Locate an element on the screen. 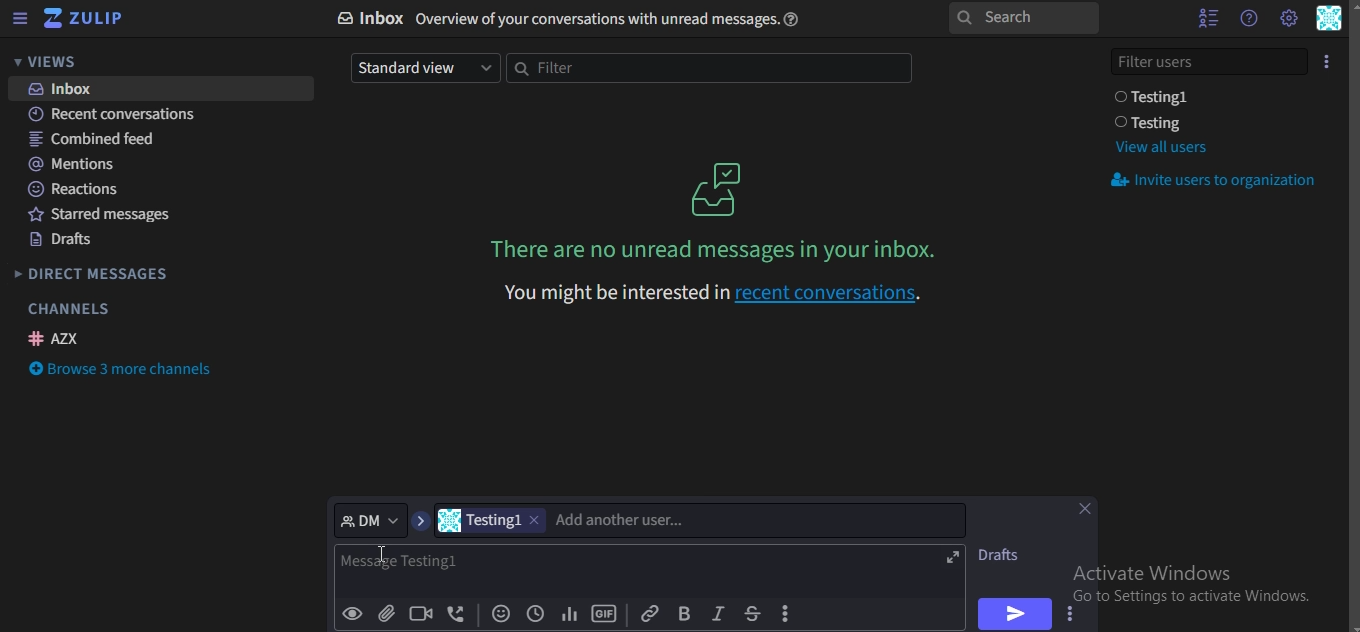 The width and height of the screenshot is (1360, 632). hide userlist is located at coordinates (1203, 18).